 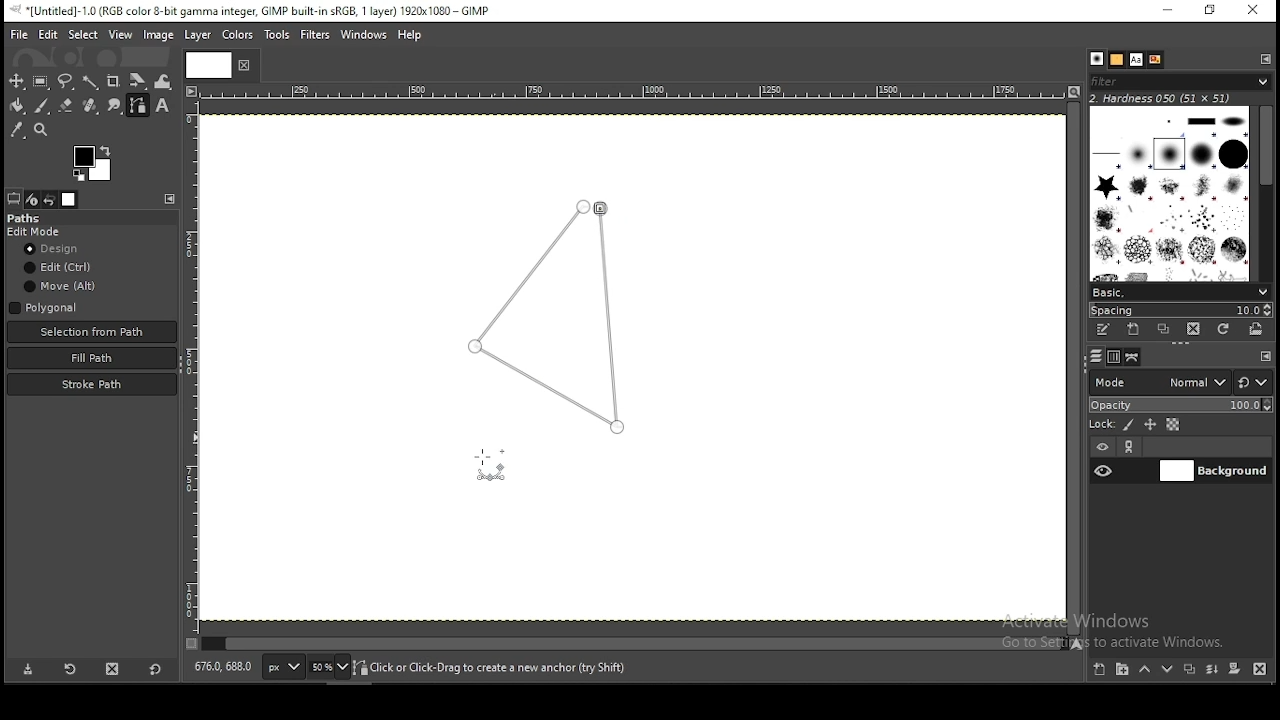 I want to click on image, so click(x=160, y=36).